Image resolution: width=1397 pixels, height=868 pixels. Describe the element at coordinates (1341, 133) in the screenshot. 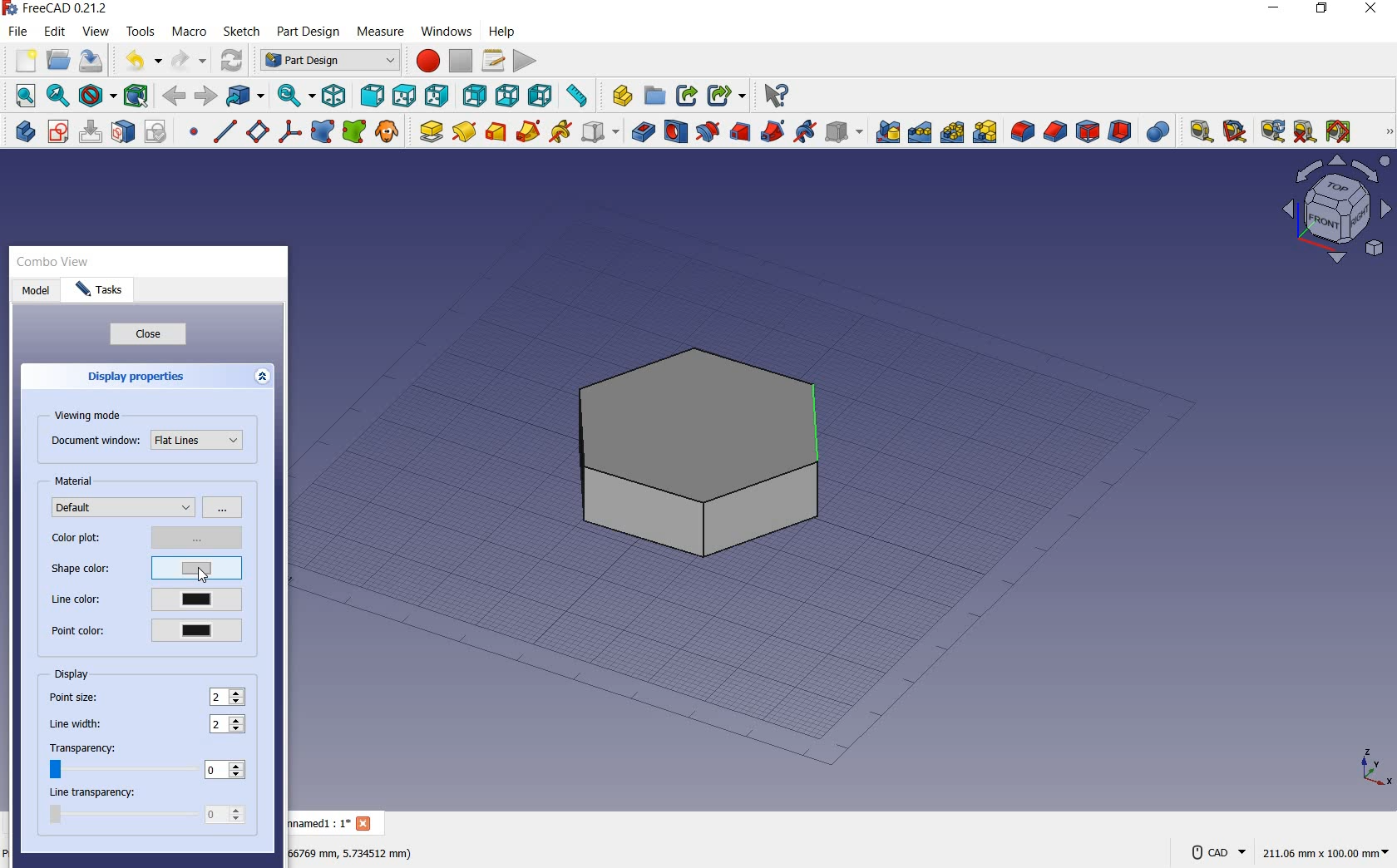

I see `Toggle all` at that location.